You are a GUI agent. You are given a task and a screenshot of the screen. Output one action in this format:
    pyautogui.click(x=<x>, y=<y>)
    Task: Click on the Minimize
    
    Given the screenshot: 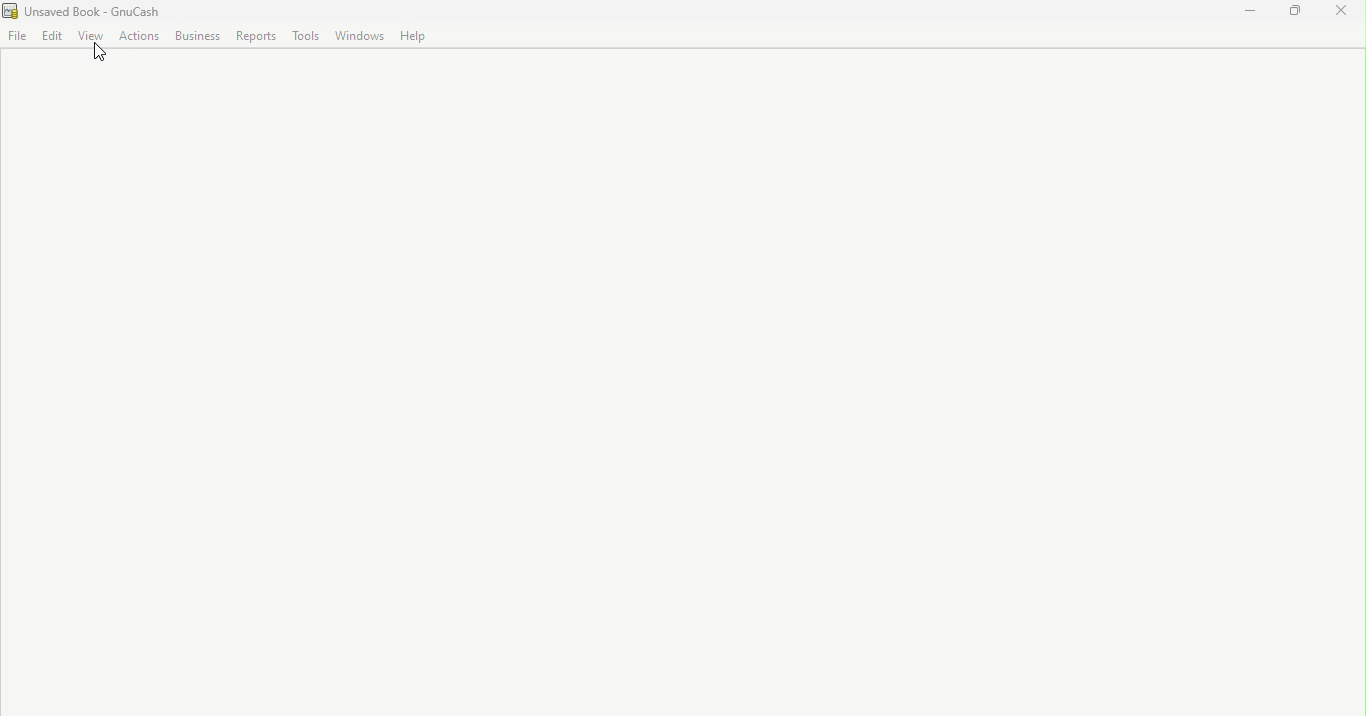 What is the action you would take?
    pyautogui.click(x=1257, y=11)
    